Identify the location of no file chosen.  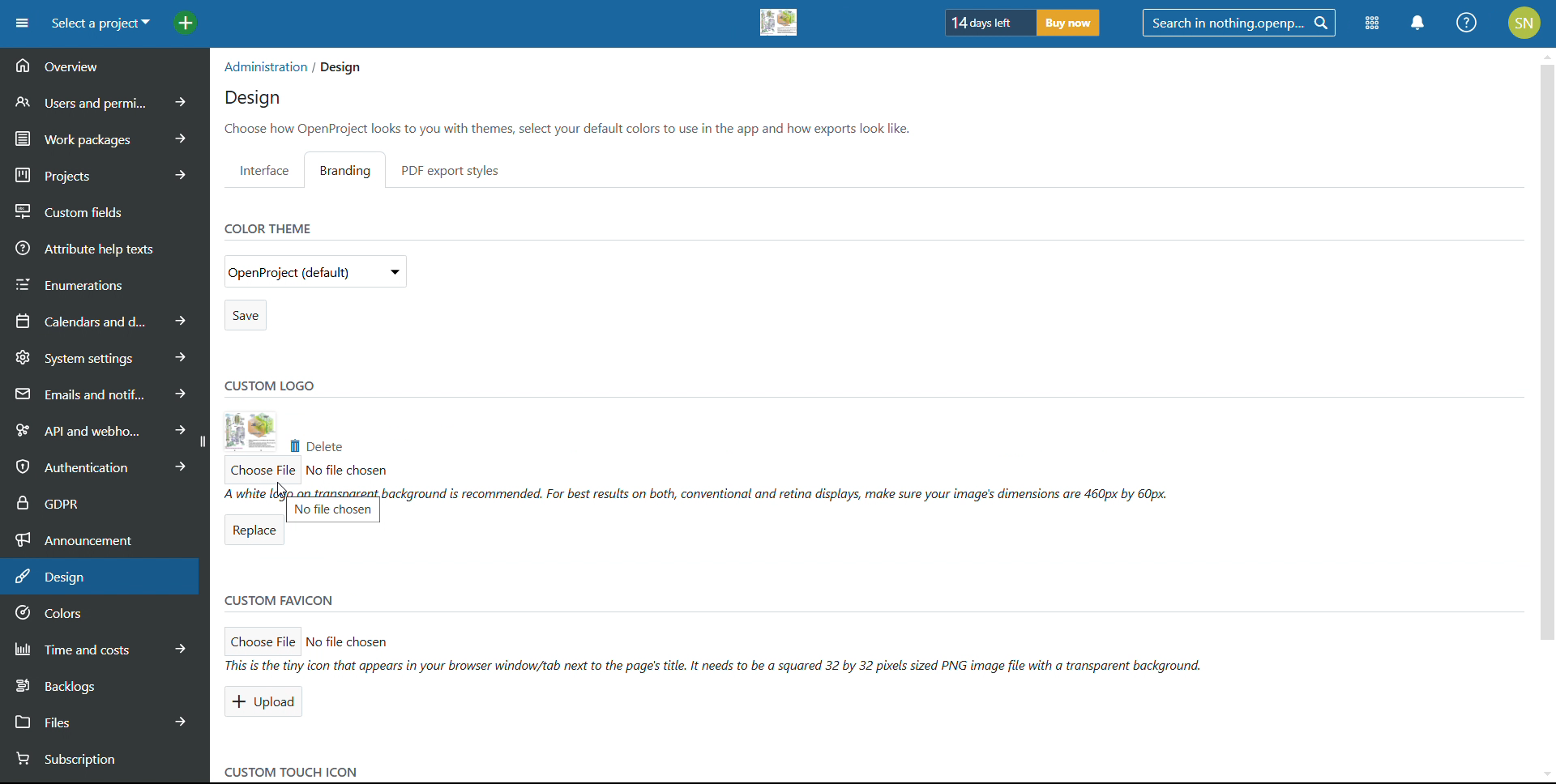
(336, 513).